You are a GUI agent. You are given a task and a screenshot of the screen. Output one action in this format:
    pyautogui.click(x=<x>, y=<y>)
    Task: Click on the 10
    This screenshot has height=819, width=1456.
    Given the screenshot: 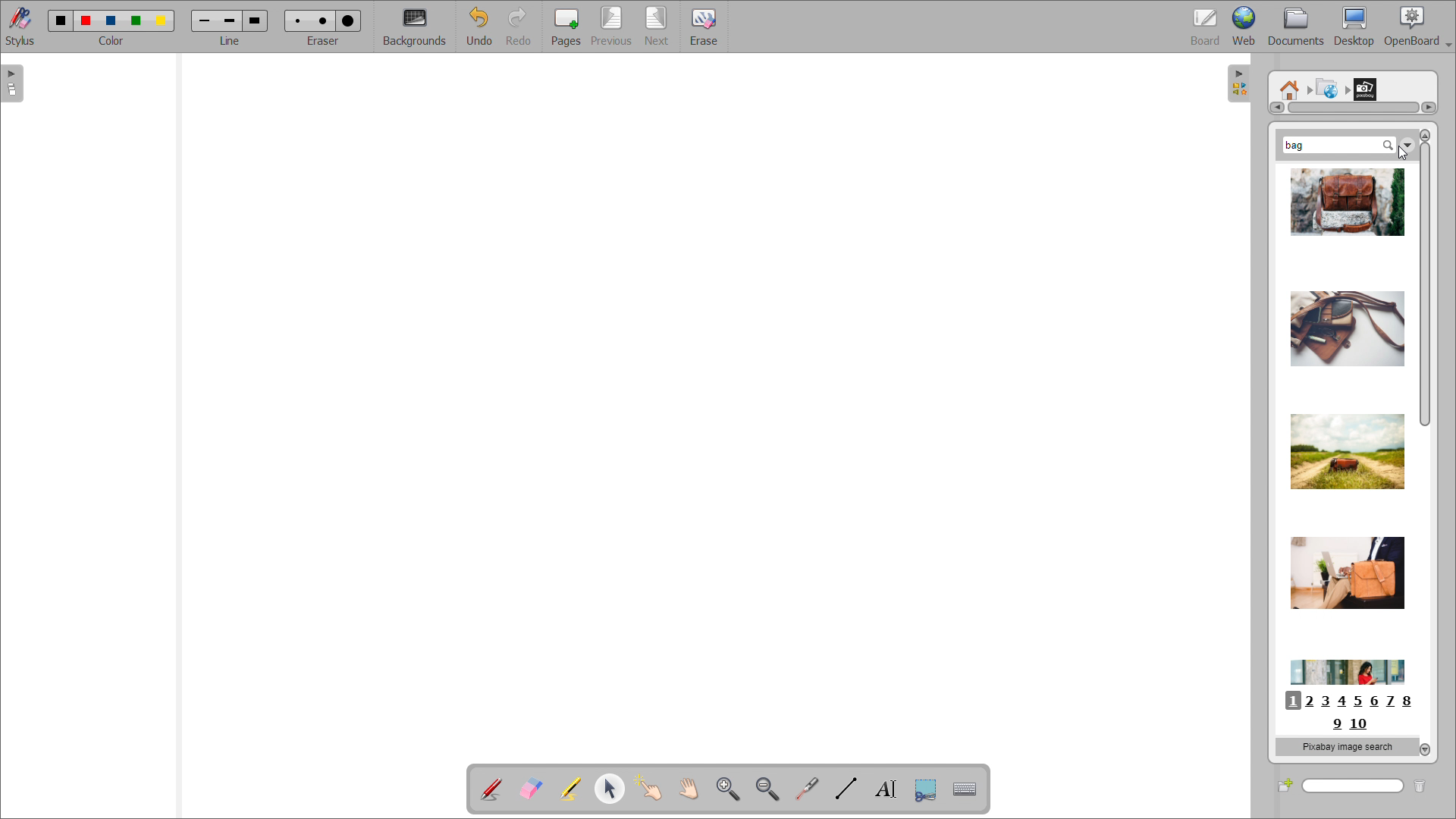 What is the action you would take?
    pyautogui.click(x=1360, y=723)
    